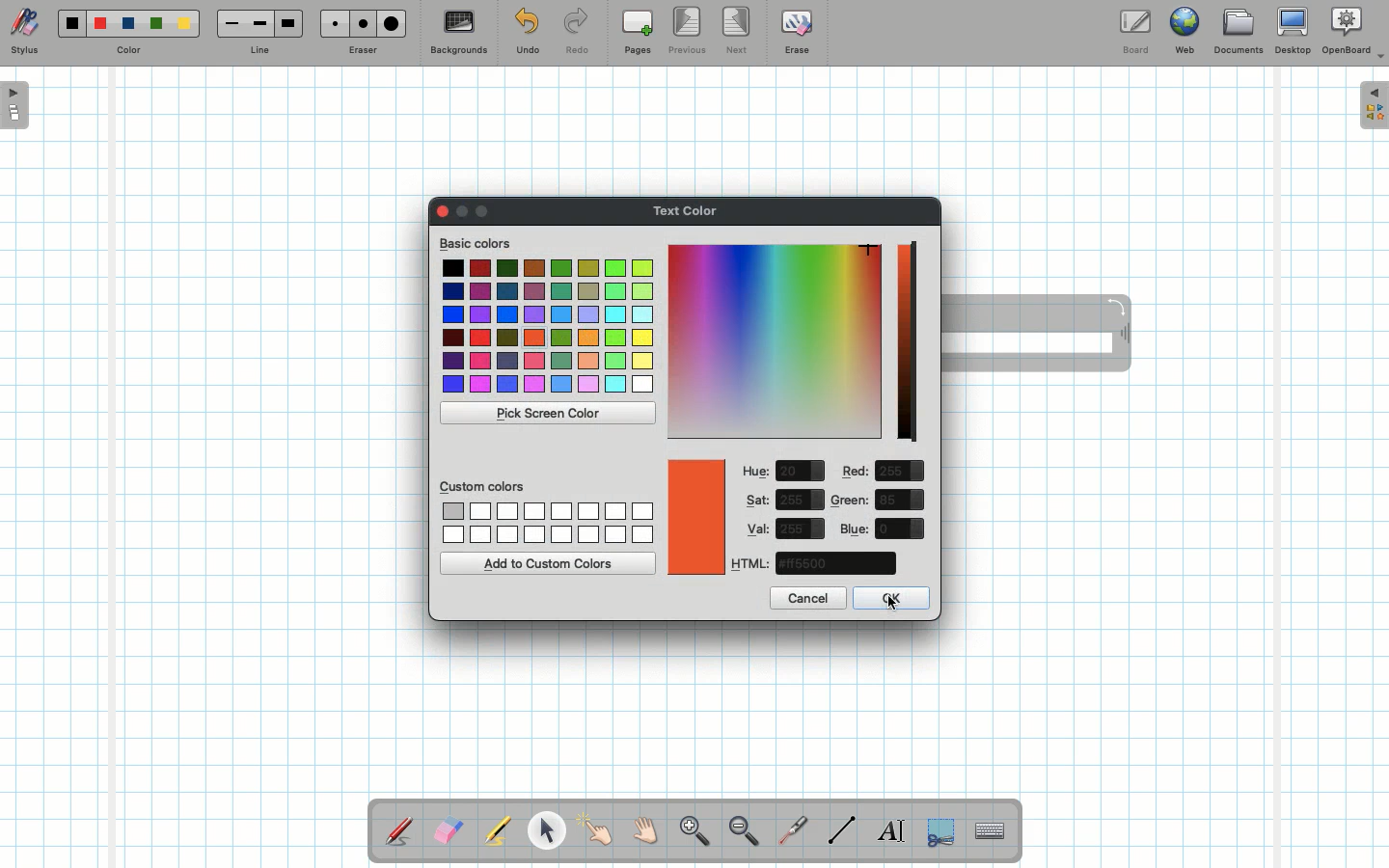 The image size is (1389, 868). Describe the element at coordinates (549, 563) in the screenshot. I see `Add to custom colors` at that location.